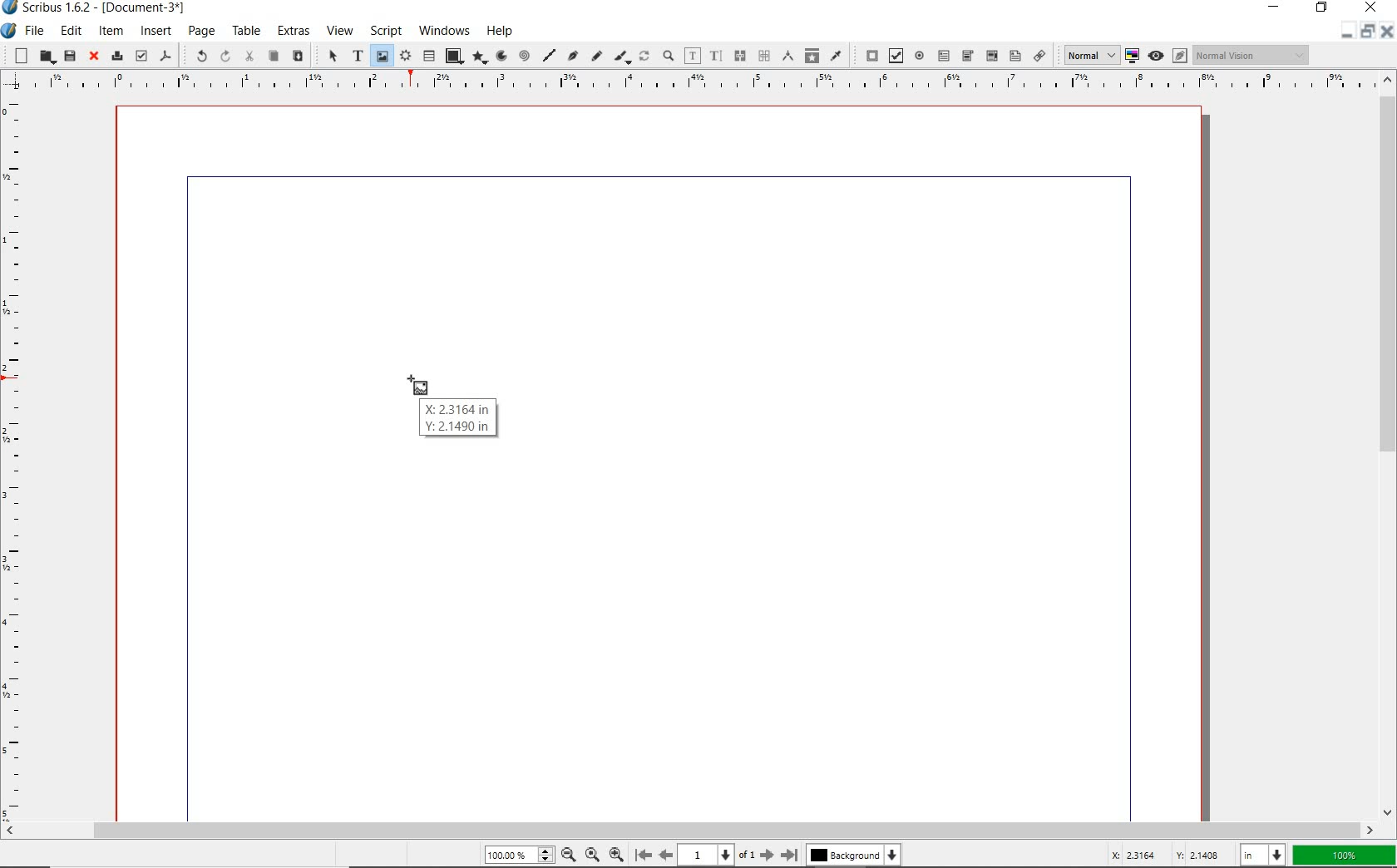 This screenshot has width=1397, height=868. I want to click on pdf combo box, so click(990, 56).